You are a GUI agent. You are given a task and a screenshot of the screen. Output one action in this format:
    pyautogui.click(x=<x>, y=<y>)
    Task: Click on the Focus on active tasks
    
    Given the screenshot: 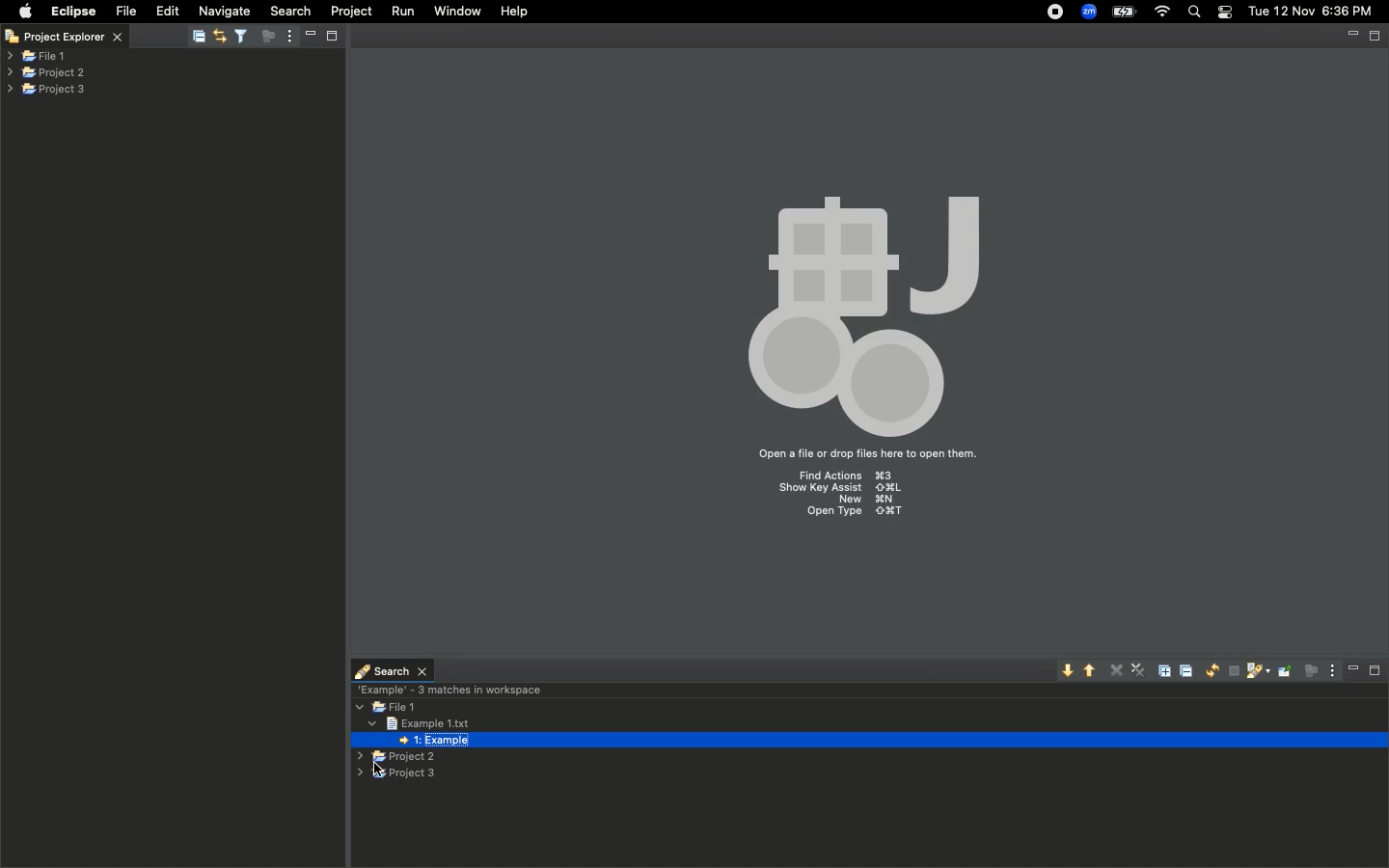 What is the action you would take?
    pyautogui.click(x=271, y=40)
    